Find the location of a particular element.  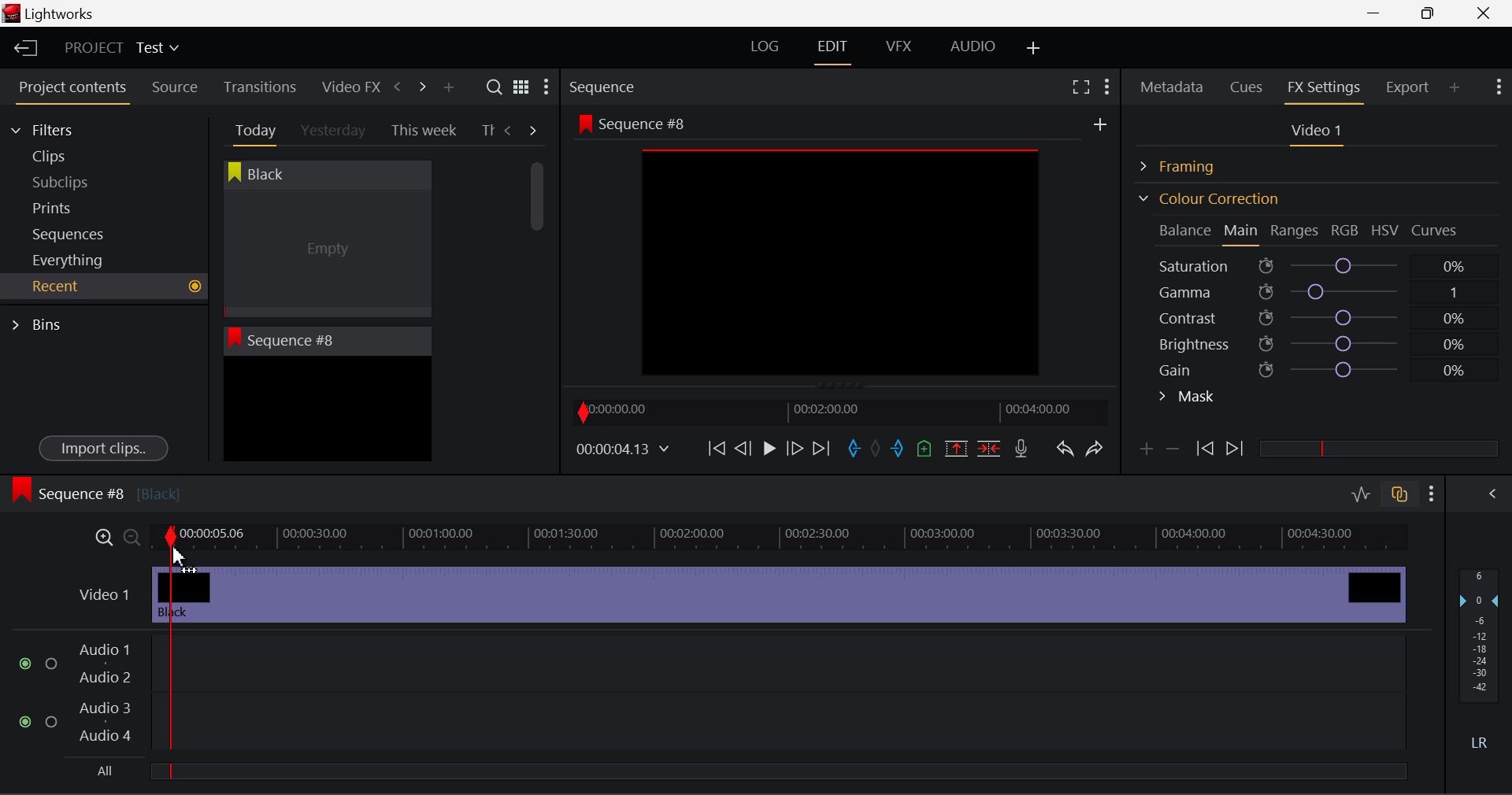

Add Panel is located at coordinates (448, 88).